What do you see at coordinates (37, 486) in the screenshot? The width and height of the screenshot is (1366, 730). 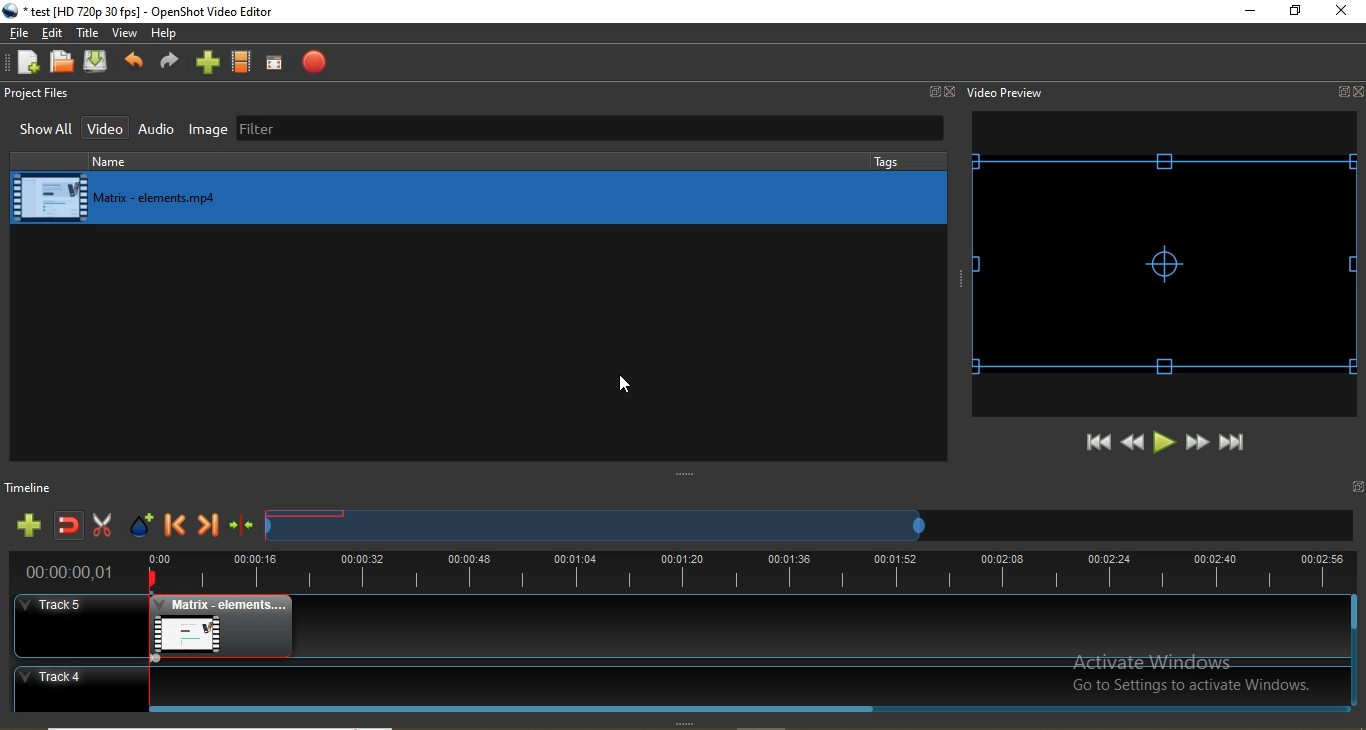 I see `Timeline` at bounding box center [37, 486].